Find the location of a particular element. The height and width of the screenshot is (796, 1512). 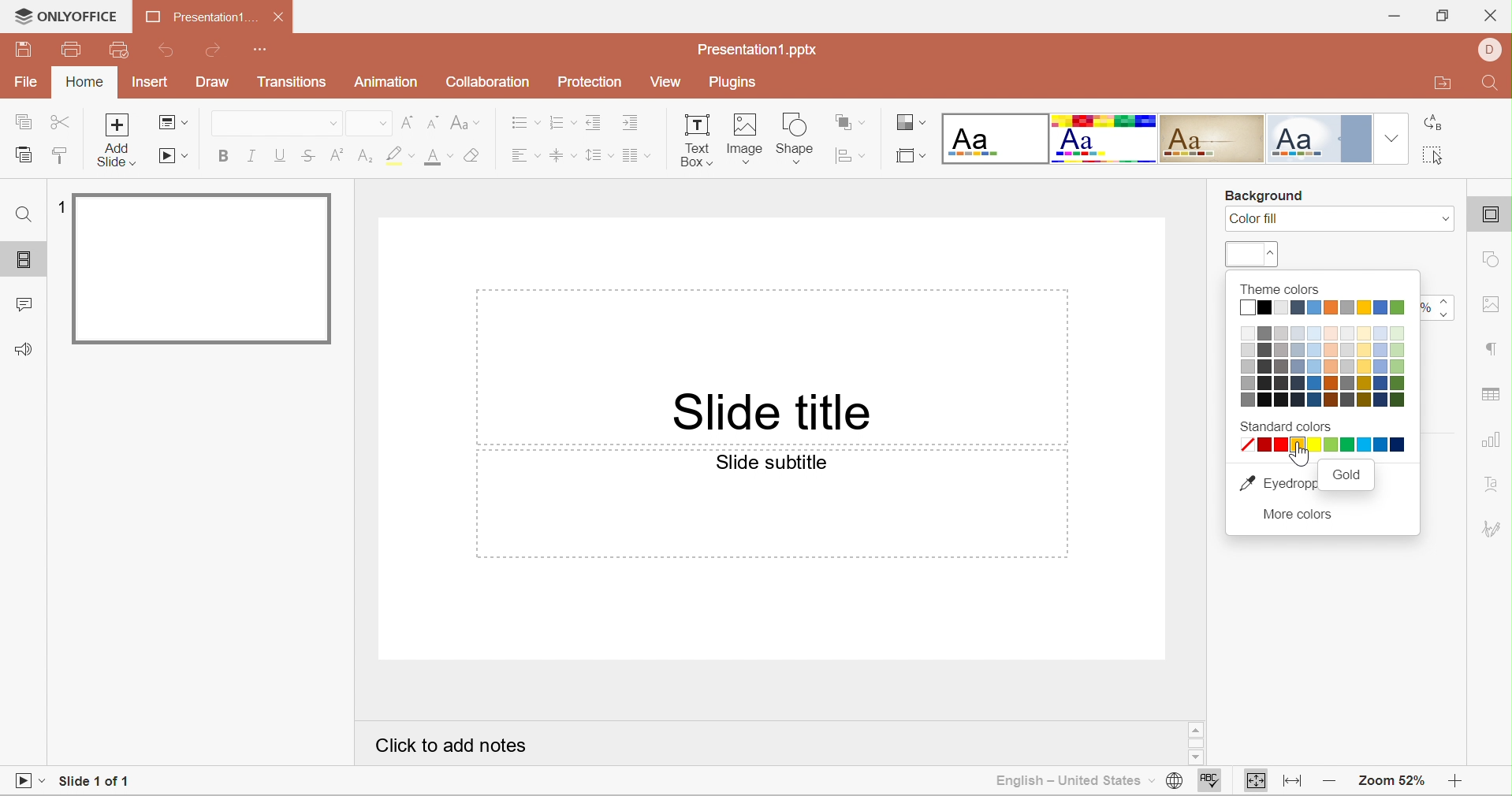

Plugins is located at coordinates (734, 84).